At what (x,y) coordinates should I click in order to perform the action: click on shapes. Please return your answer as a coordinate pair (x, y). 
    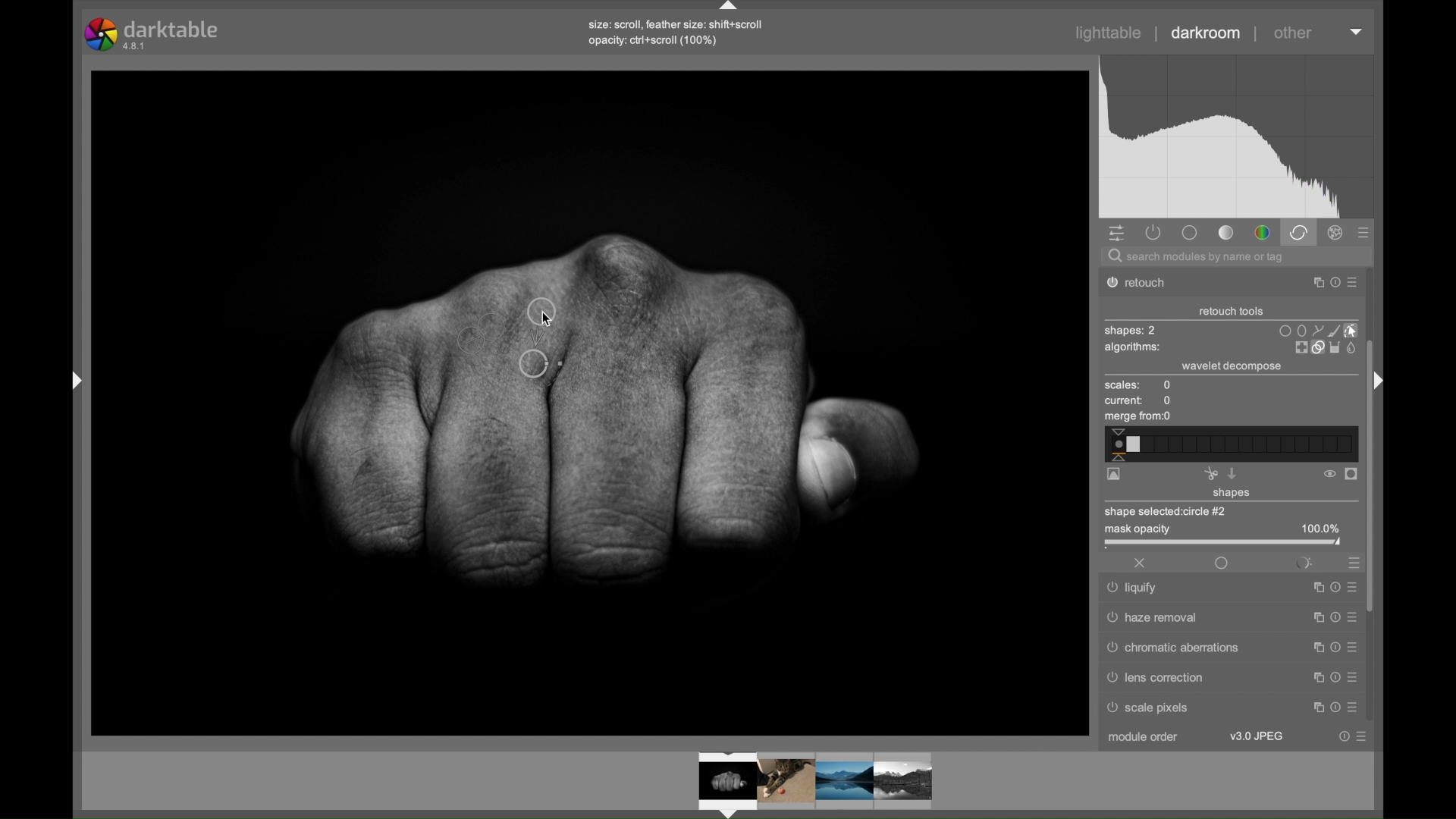
    Looking at the image, I should click on (1232, 494).